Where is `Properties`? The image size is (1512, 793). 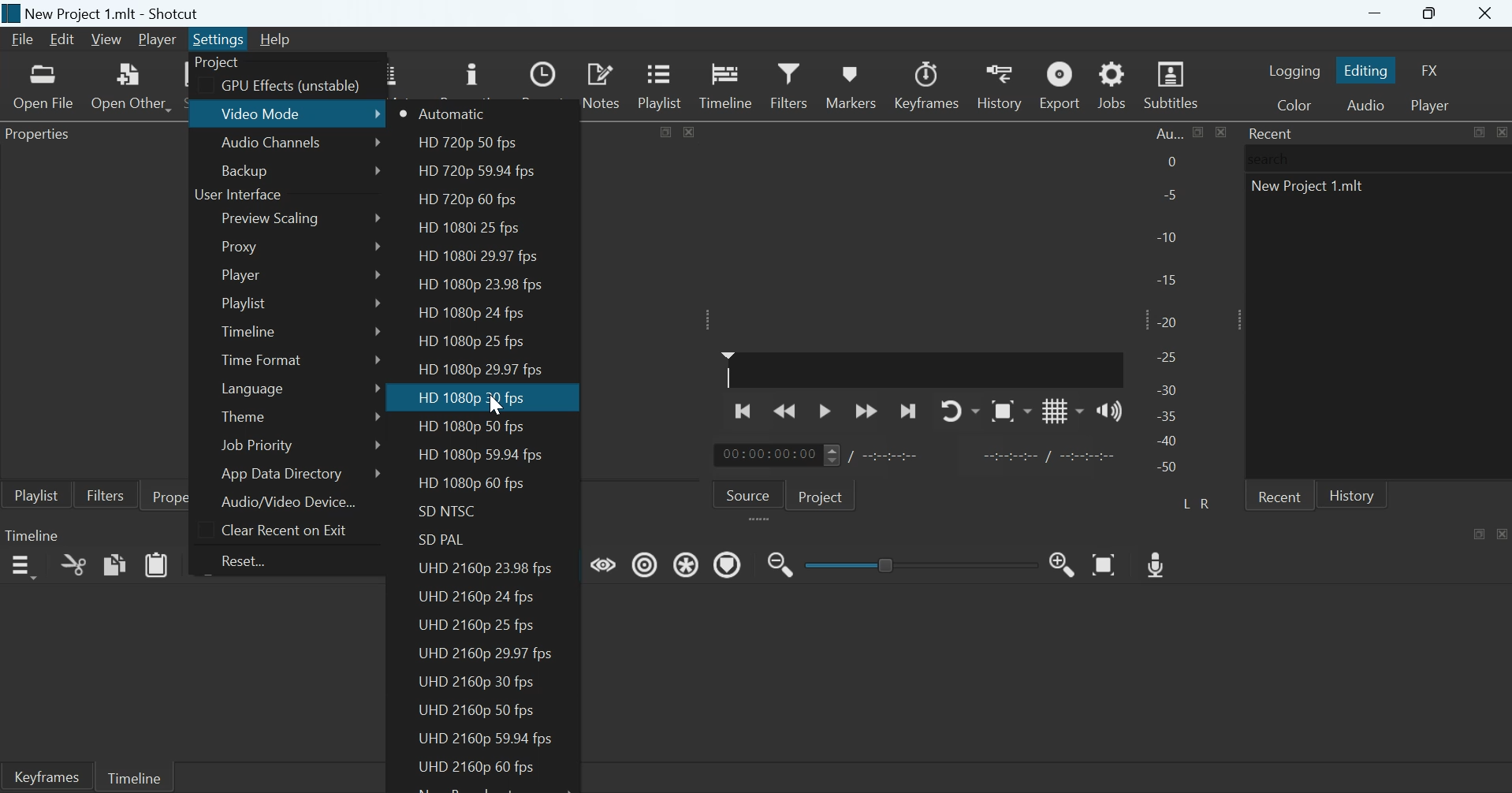
Properties is located at coordinates (471, 78).